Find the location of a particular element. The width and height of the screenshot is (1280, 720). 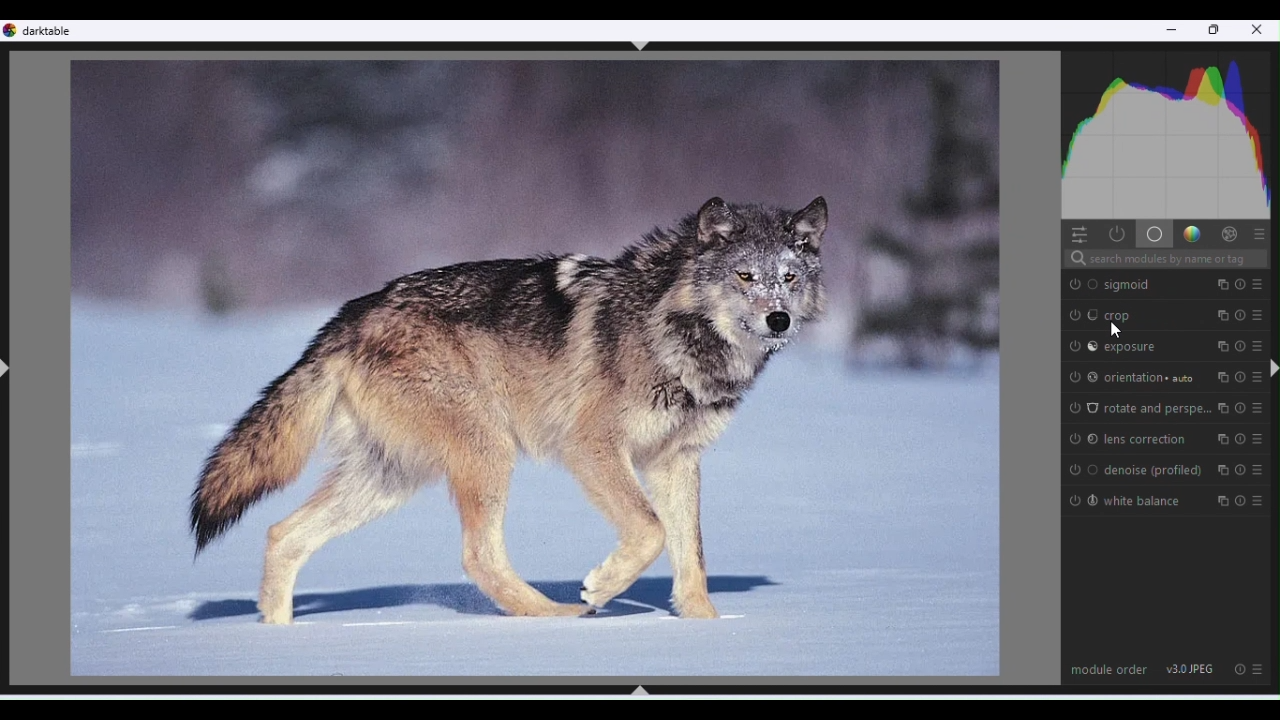

Preset  is located at coordinates (1260, 233).